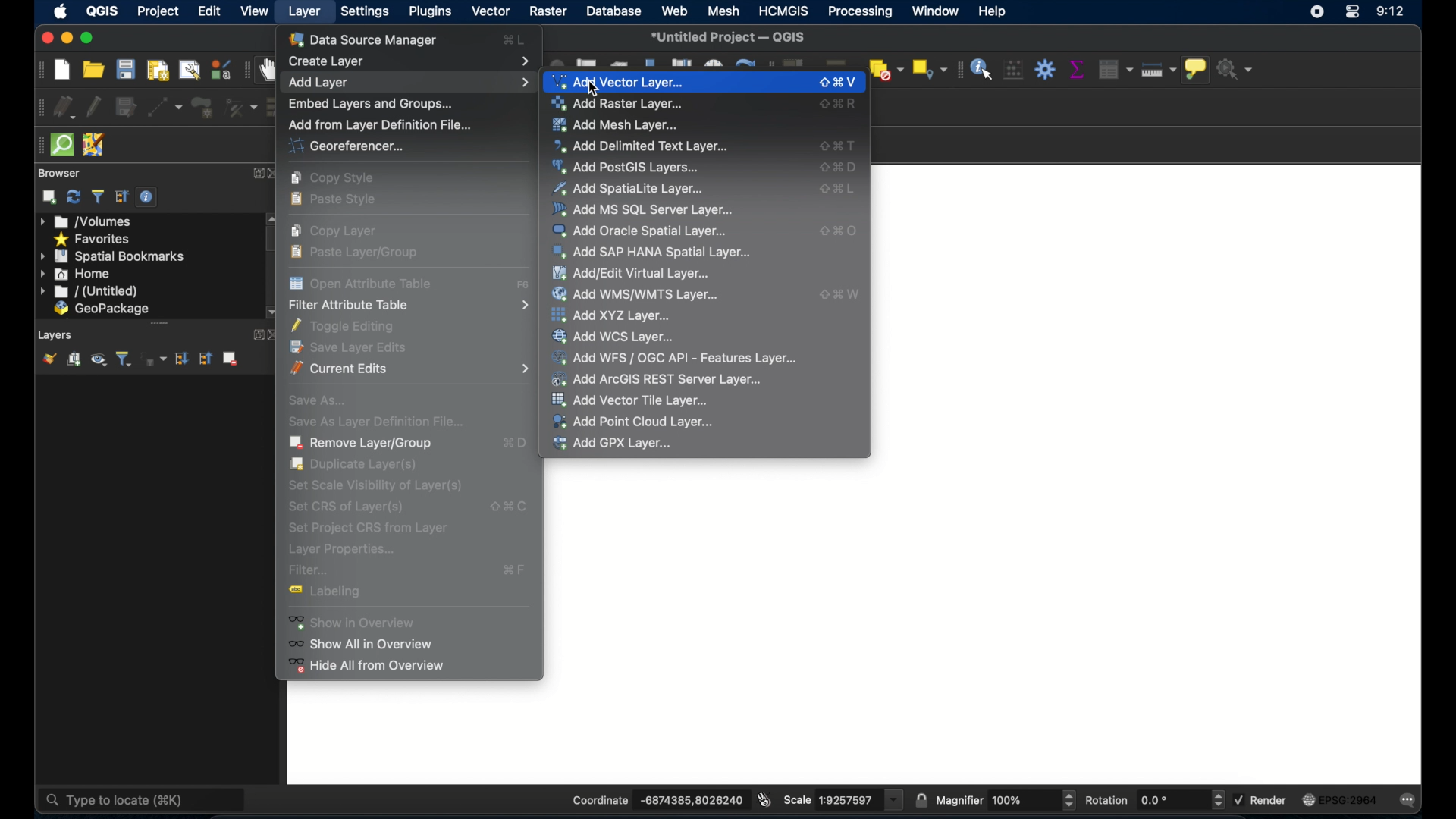 This screenshot has height=819, width=1456. What do you see at coordinates (1241, 69) in the screenshot?
I see `no action selected` at bounding box center [1241, 69].